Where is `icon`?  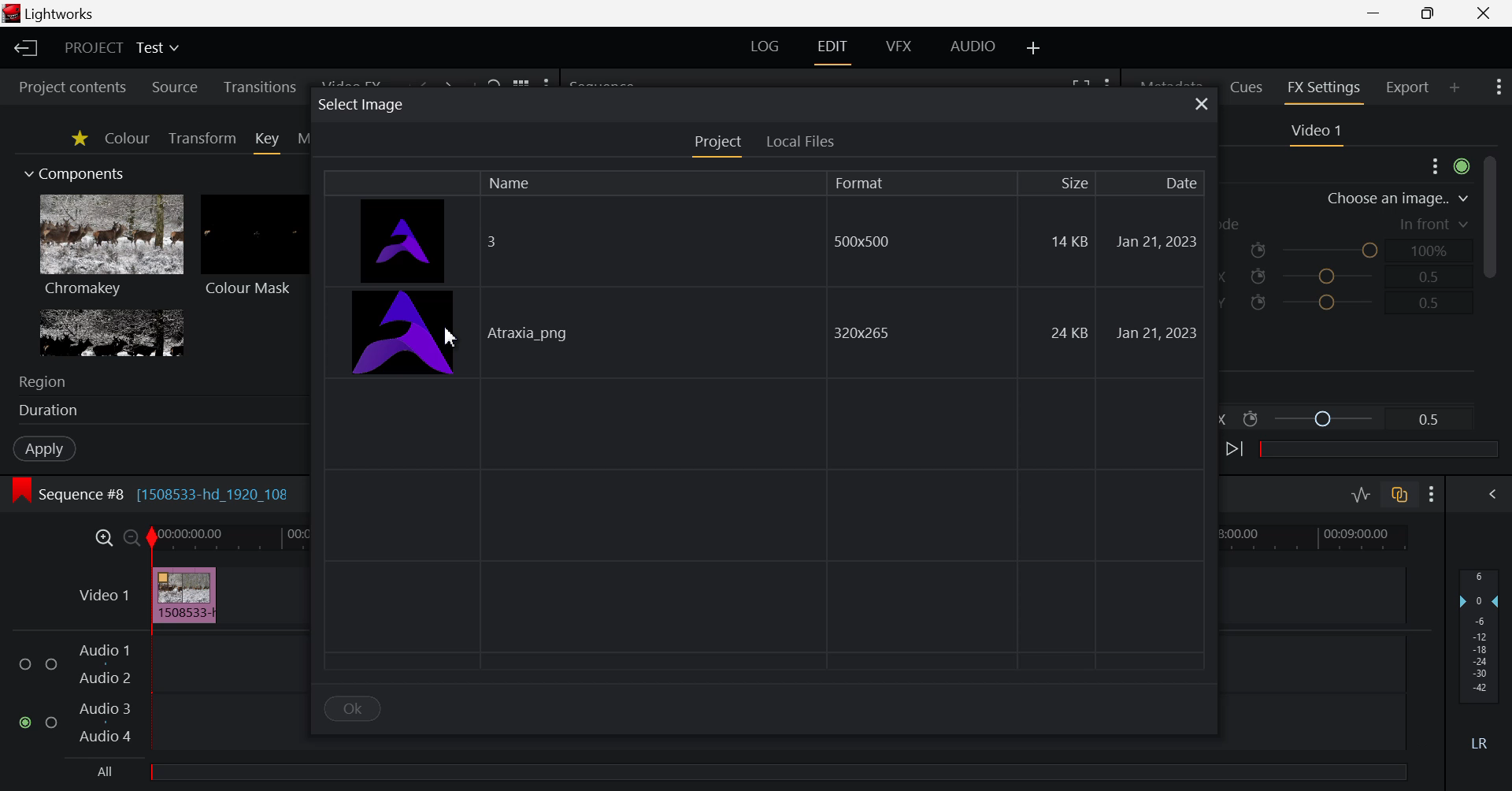
icon is located at coordinates (1259, 251).